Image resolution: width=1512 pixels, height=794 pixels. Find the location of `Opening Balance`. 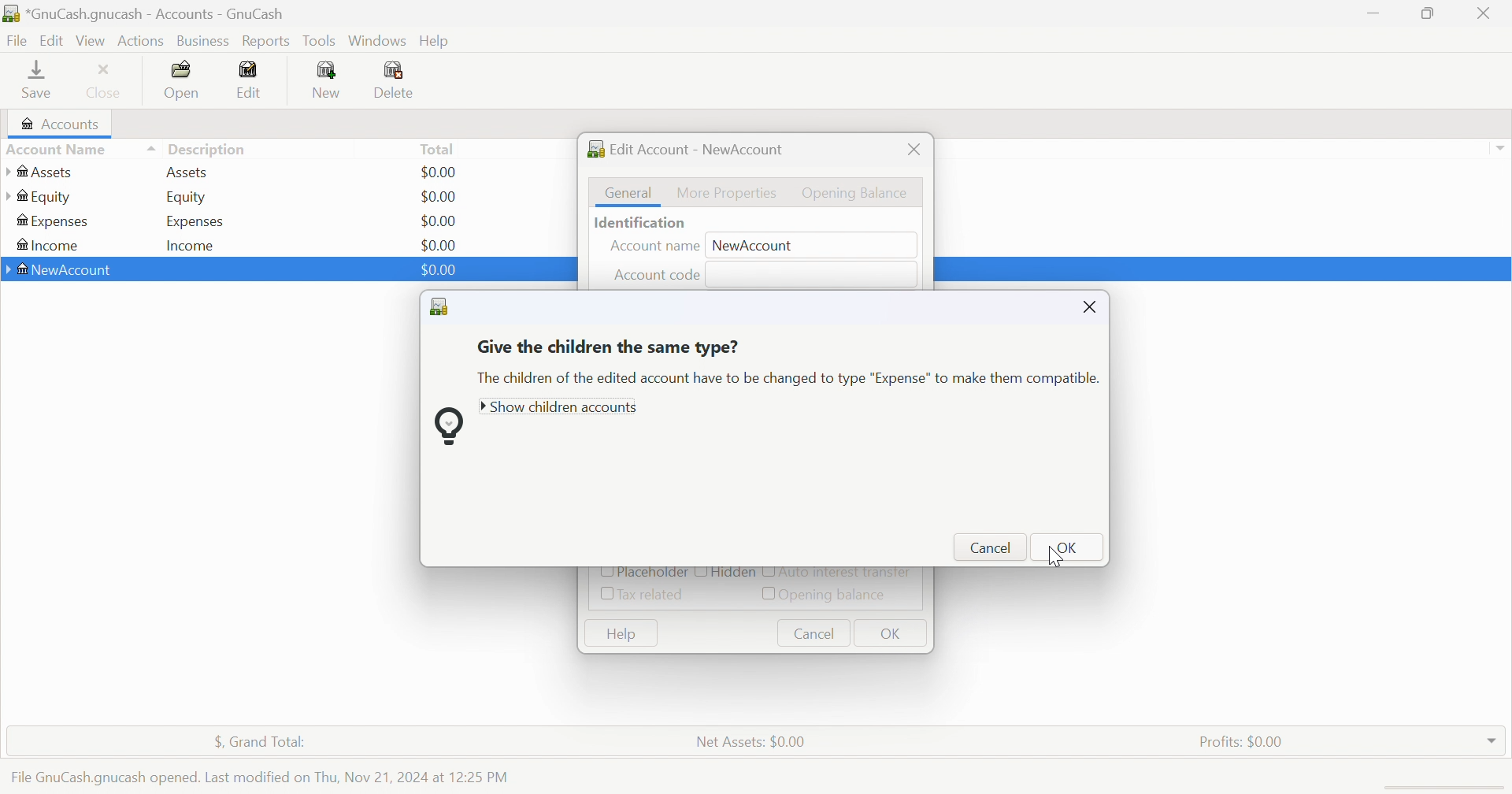

Opening Balance is located at coordinates (857, 193).